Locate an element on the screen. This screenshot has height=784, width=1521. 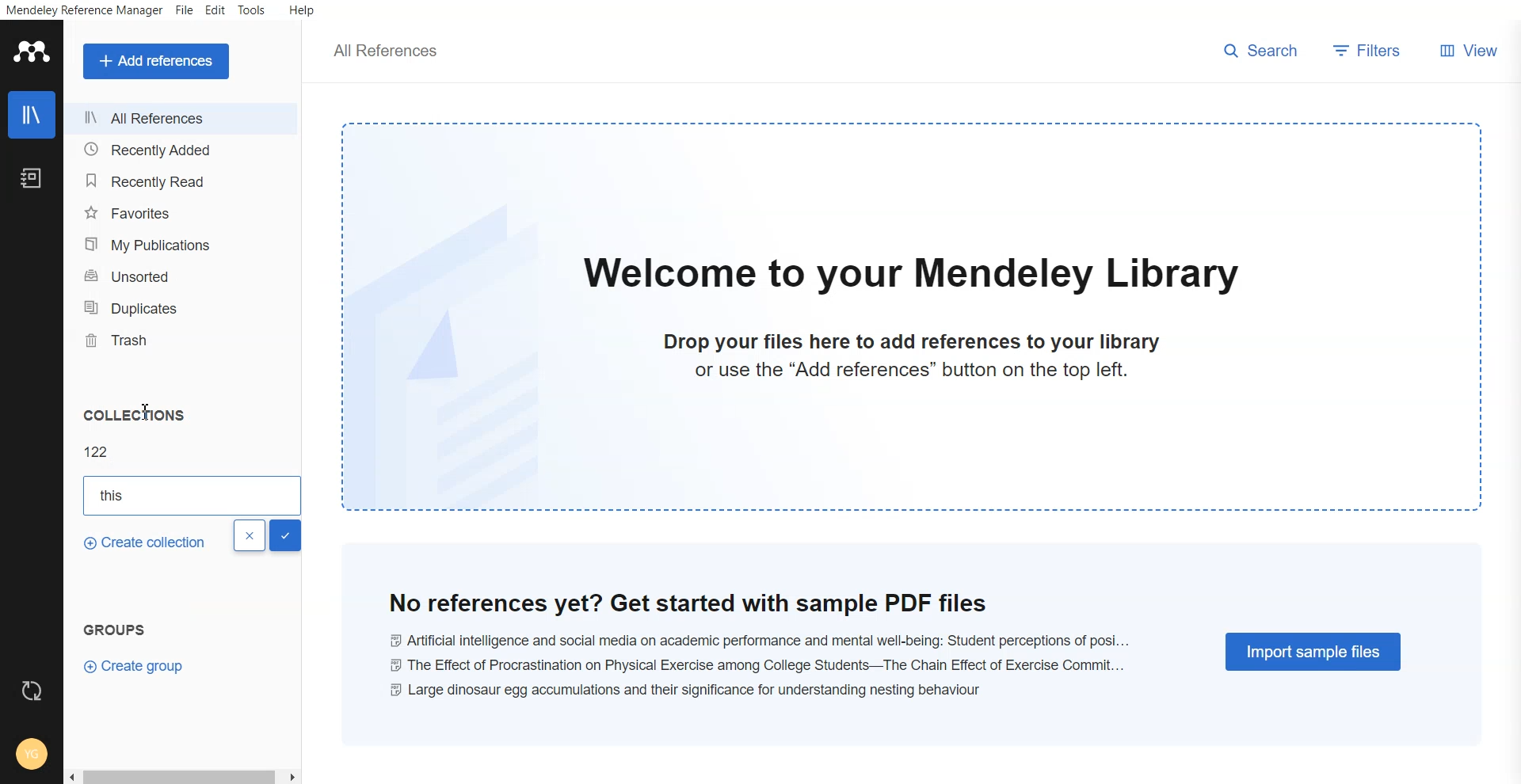
scroll right is located at coordinates (292, 778).